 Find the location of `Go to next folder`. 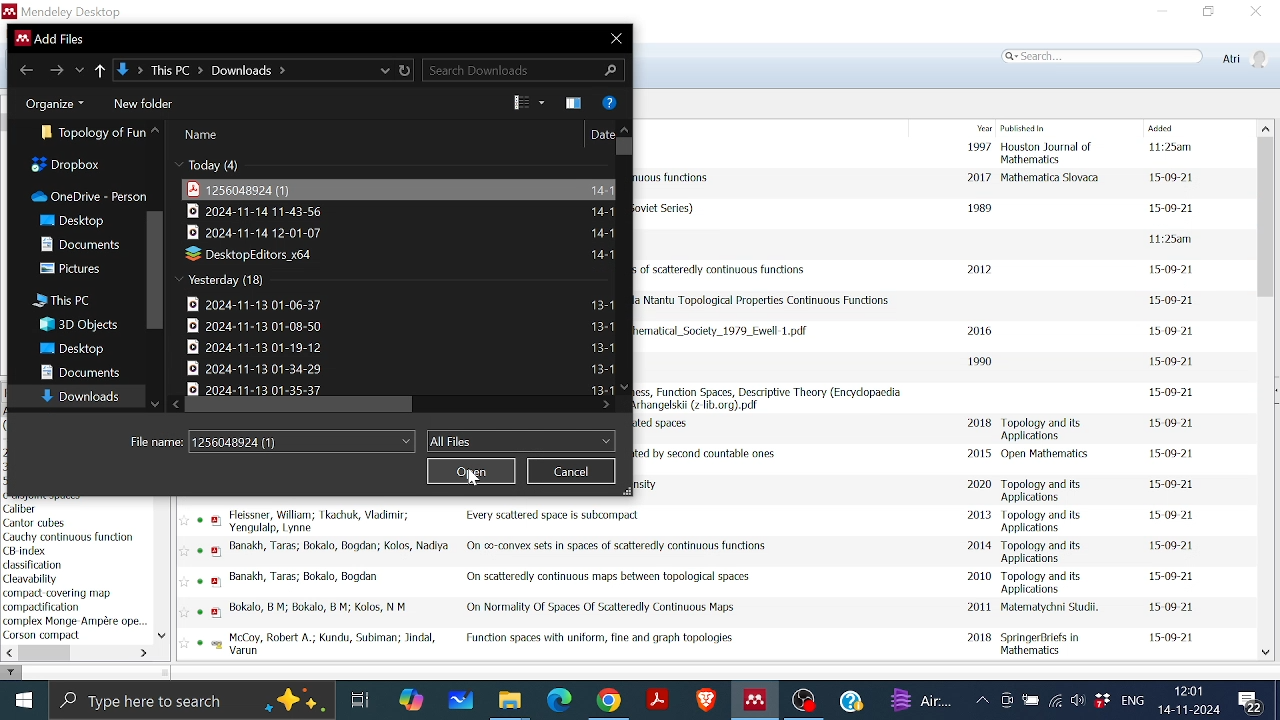

Go to next folder is located at coordinates (55, 69).